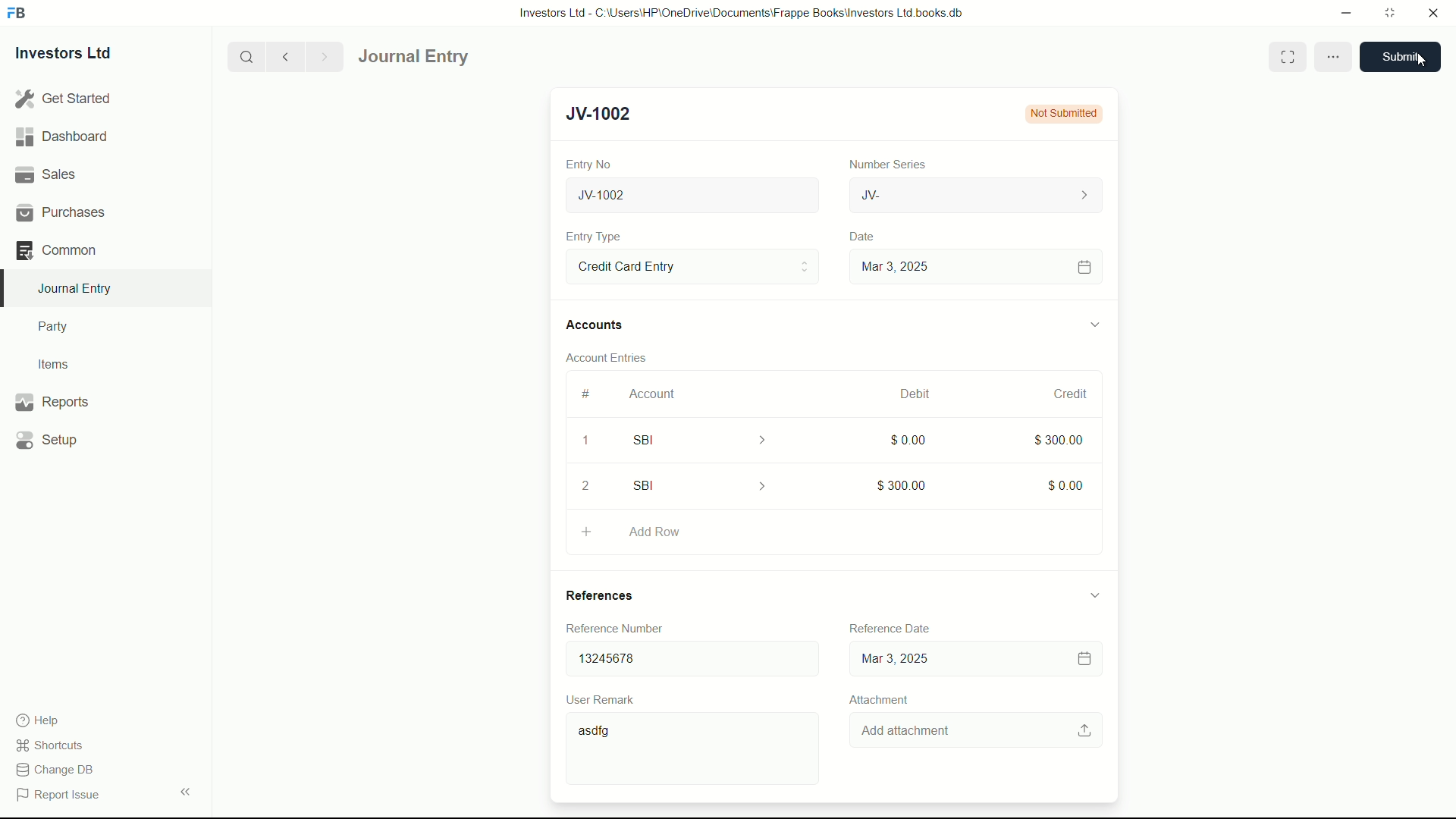  I want to click on dd-mm-yyyy, so click(971, 660).